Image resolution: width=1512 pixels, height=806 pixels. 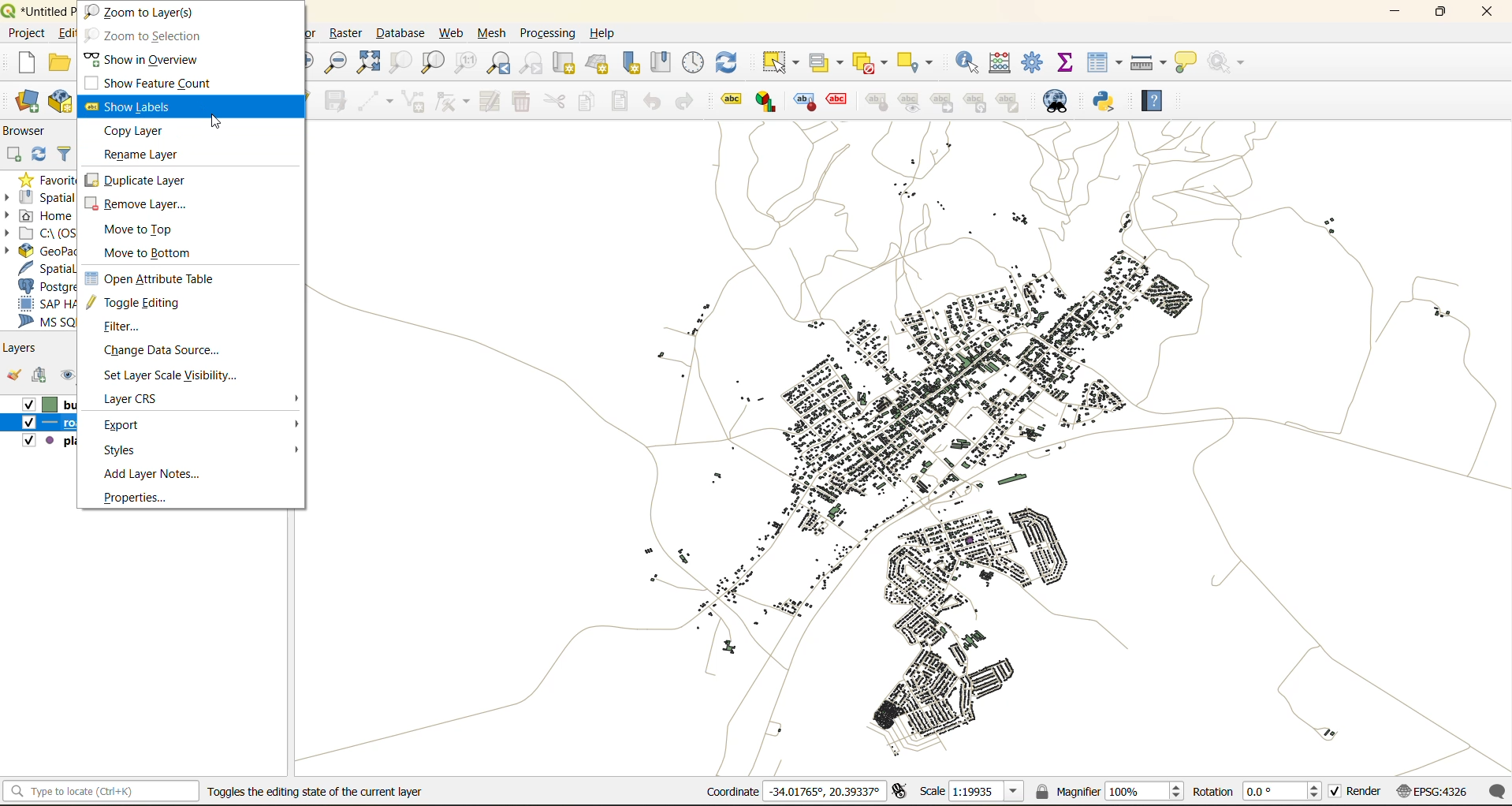 What do you see at coordinates (732, 62) in the screenshot?
I see `refresh` at bounding box center [732, 62].